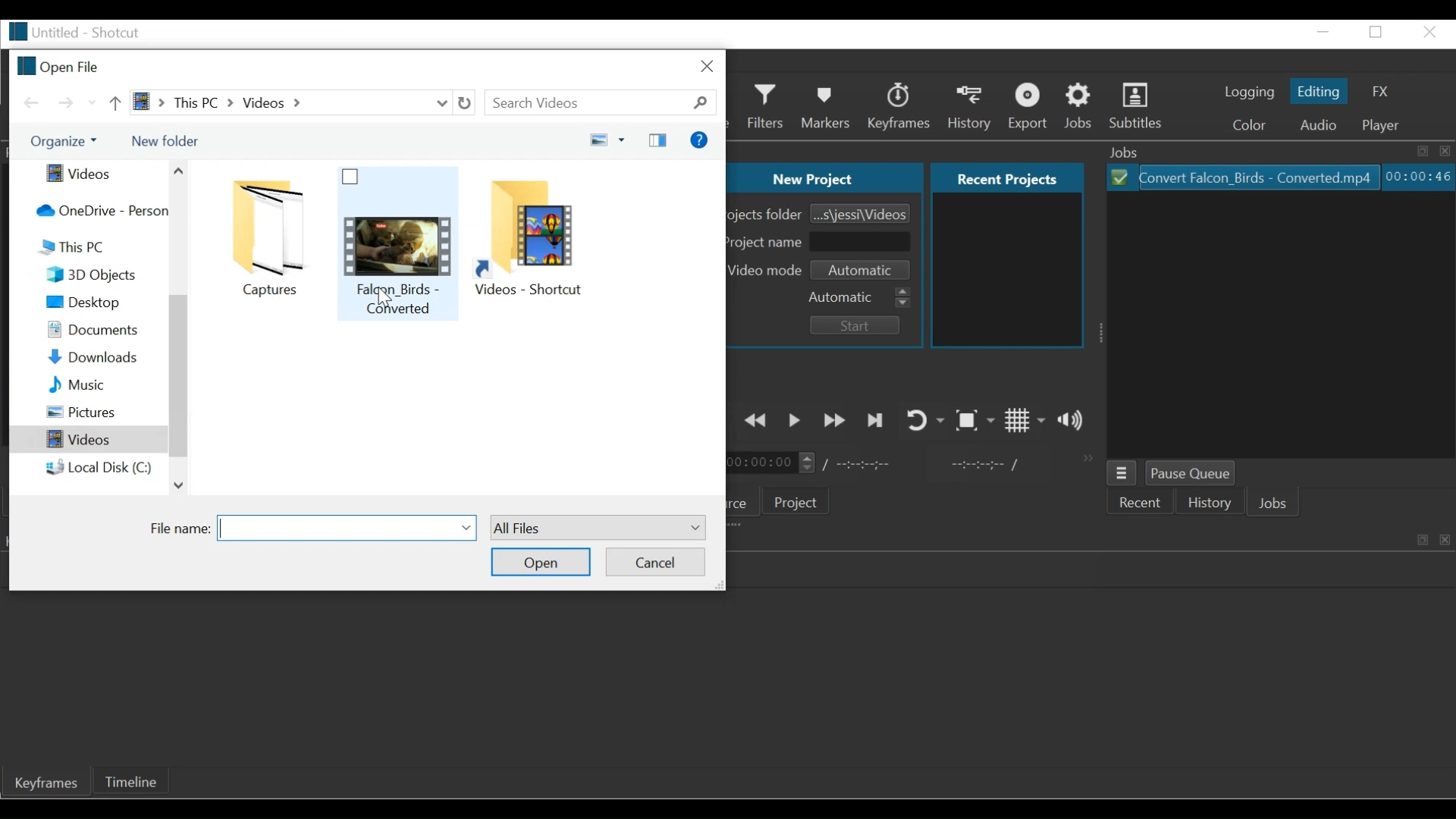 The image size is (1456, 819). Describe the element at coordinates (601, 103) in the screenshot. I see `Search Videos` at that location.